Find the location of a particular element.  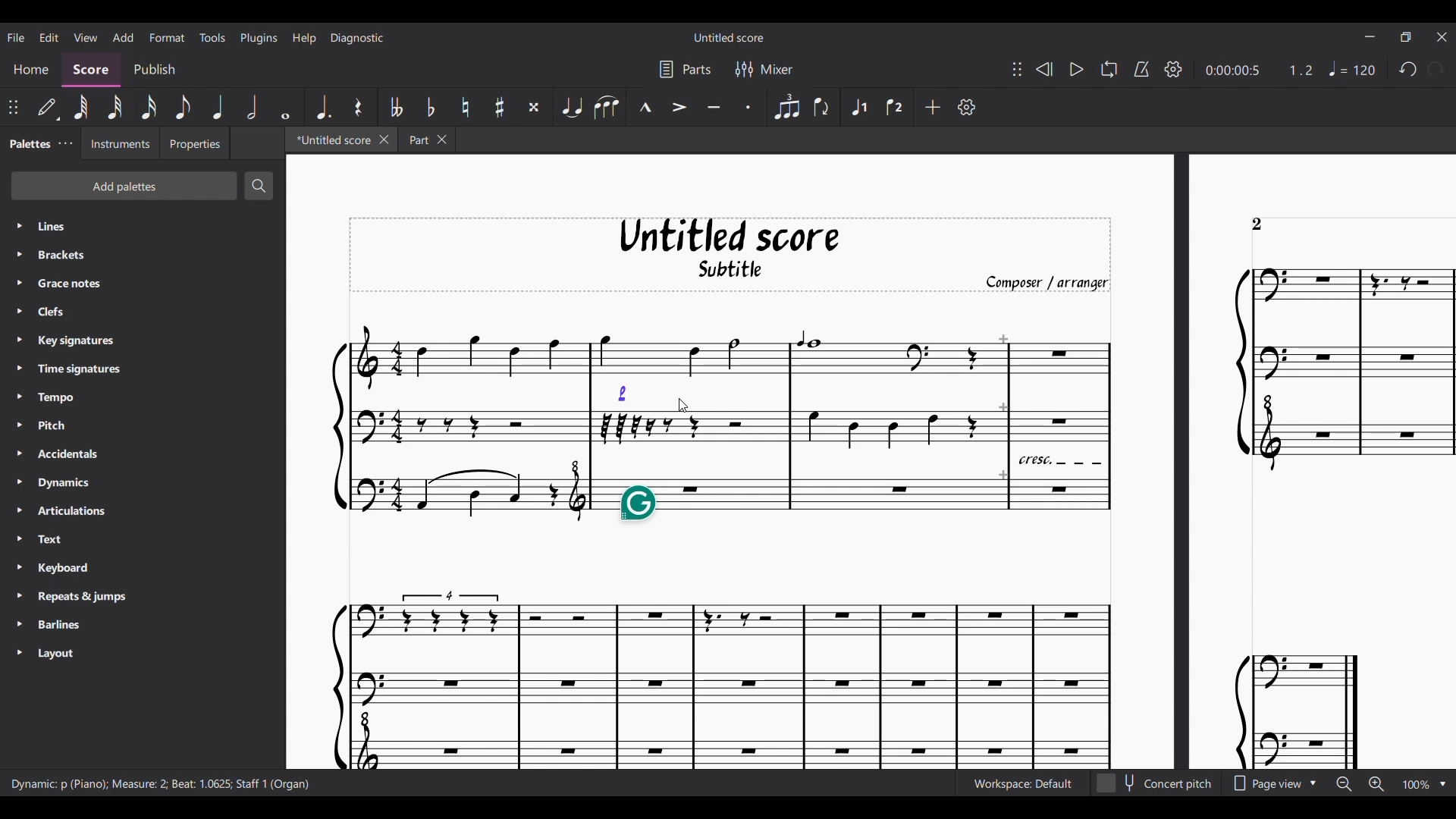

Zoom factor is located at coordinates (1417, 784).